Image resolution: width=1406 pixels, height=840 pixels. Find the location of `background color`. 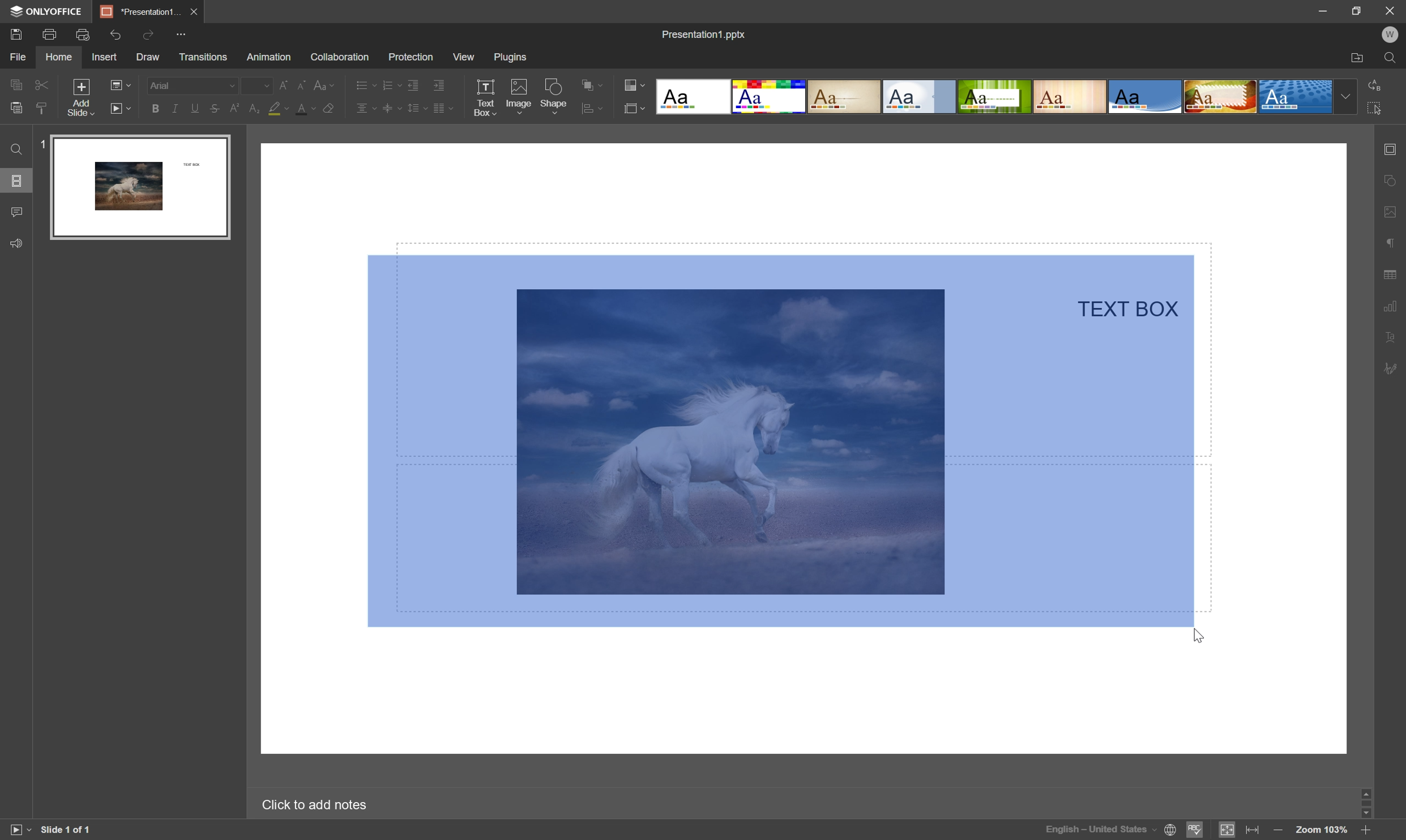

background color is located at coordinates (279, 108).